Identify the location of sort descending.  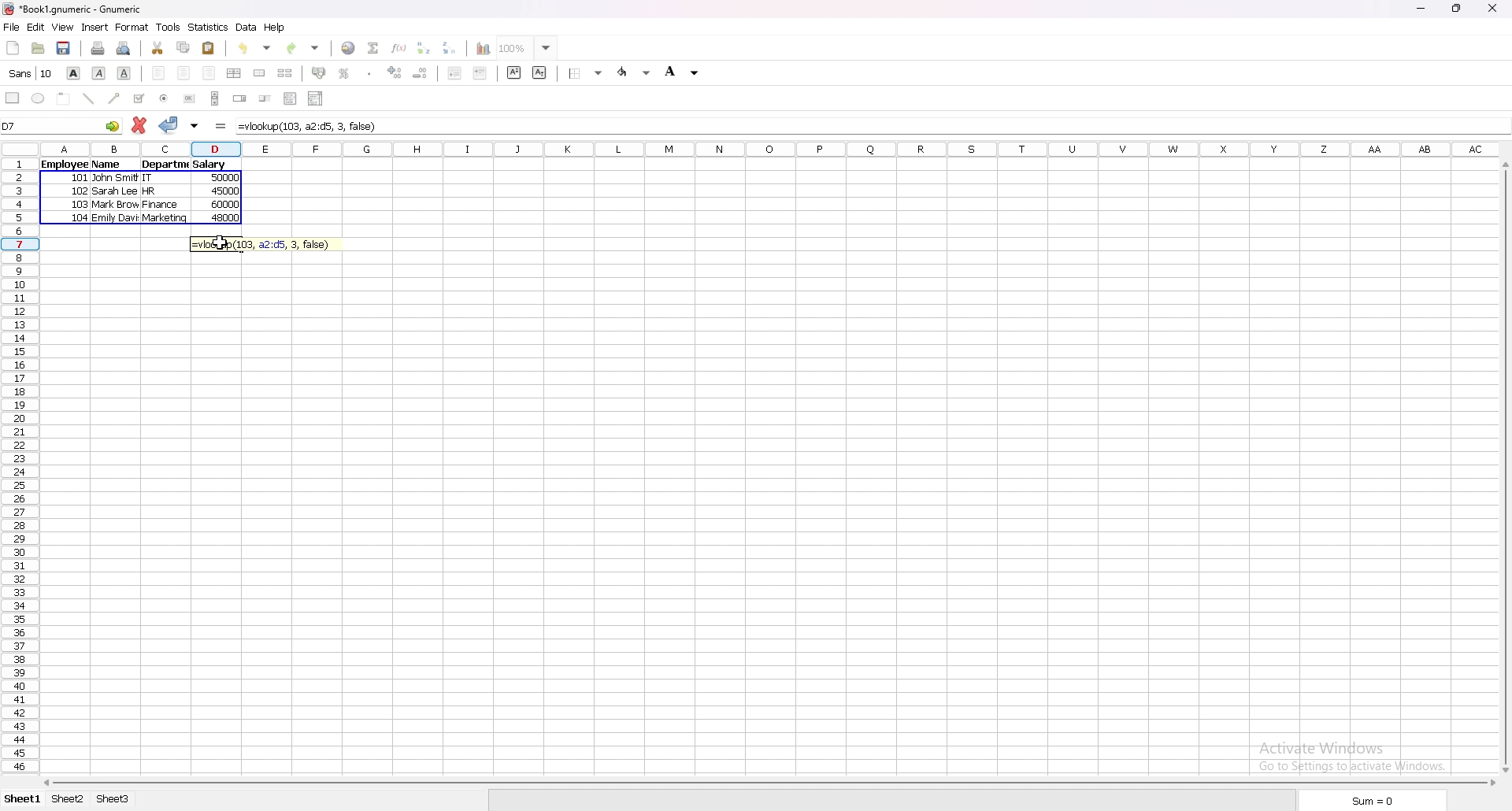
(450, 48).